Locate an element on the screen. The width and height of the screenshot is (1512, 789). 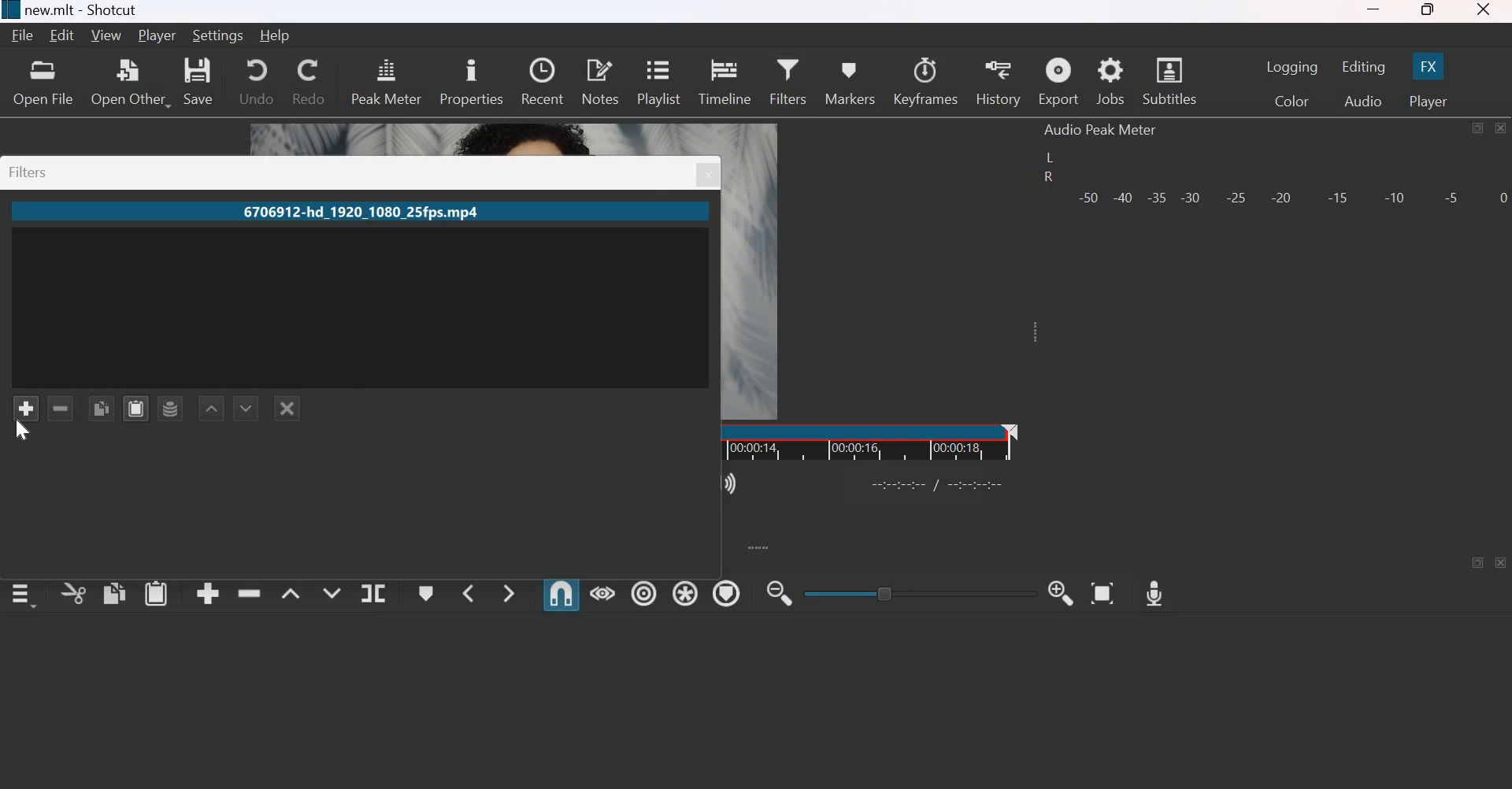
Player is located at coordinates (1426, 101).